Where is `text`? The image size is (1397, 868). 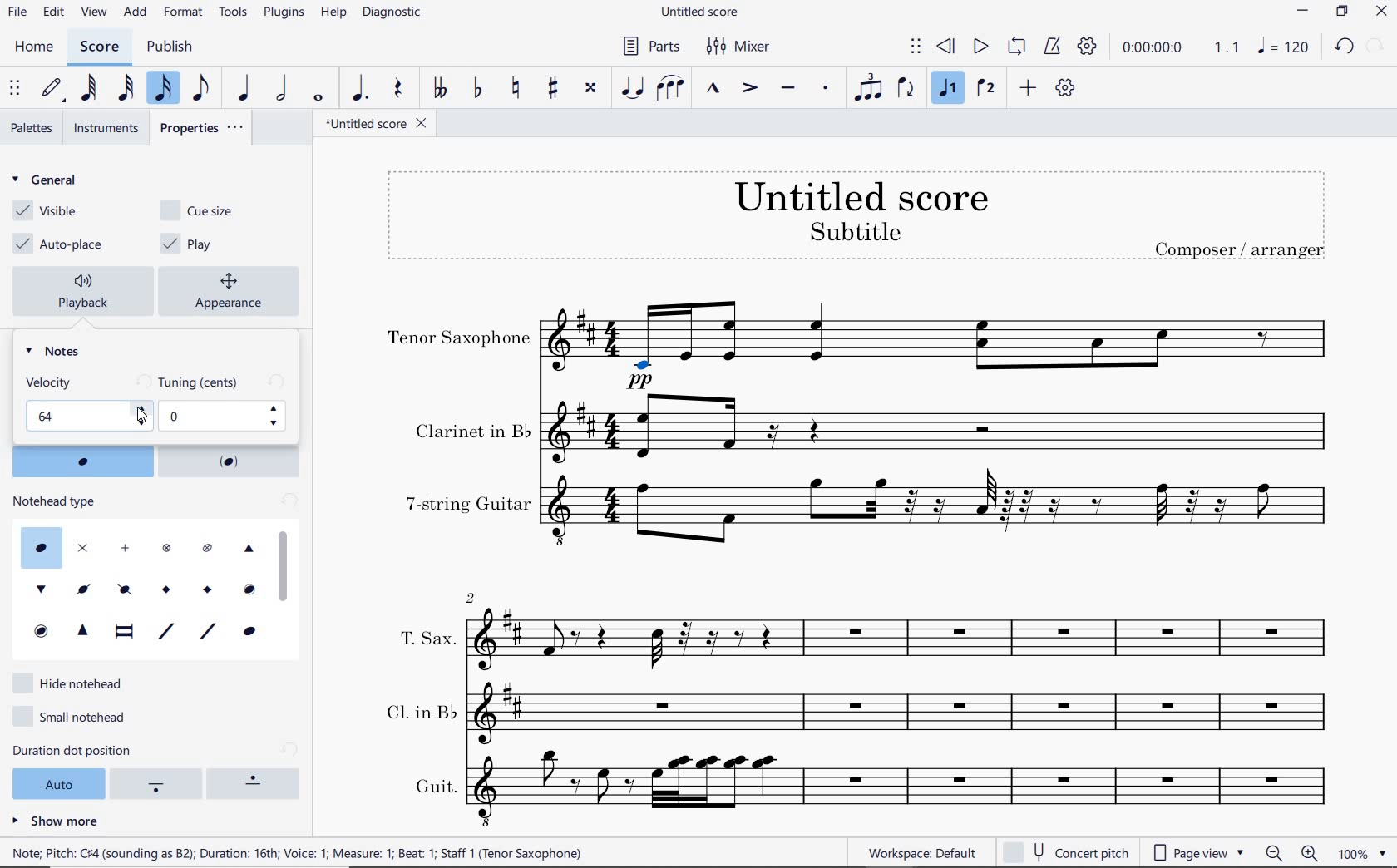 text is located at coordinates (433, 786).